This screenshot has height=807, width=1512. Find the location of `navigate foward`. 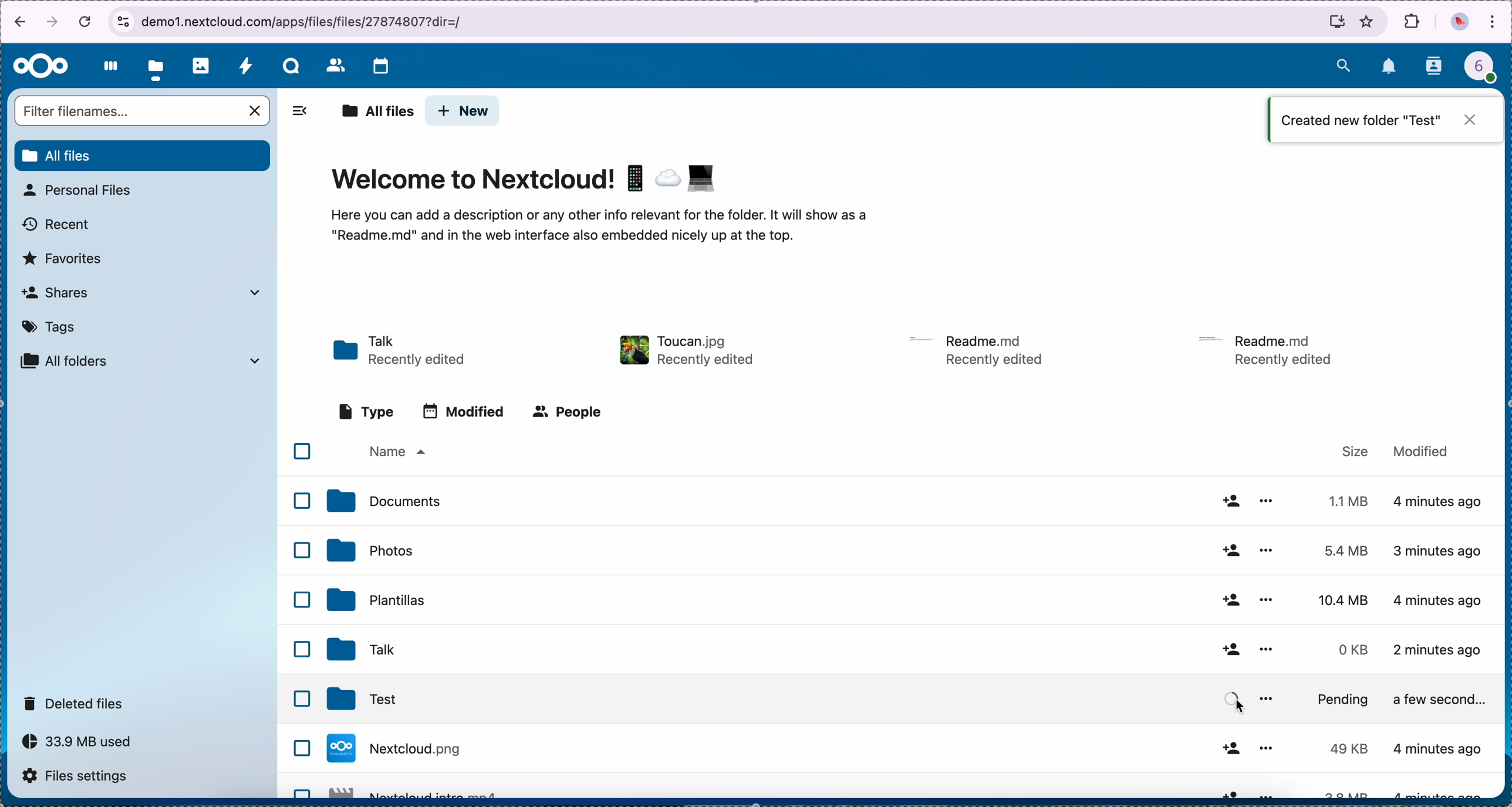

navigate foward is located at coordinates (53, 23).